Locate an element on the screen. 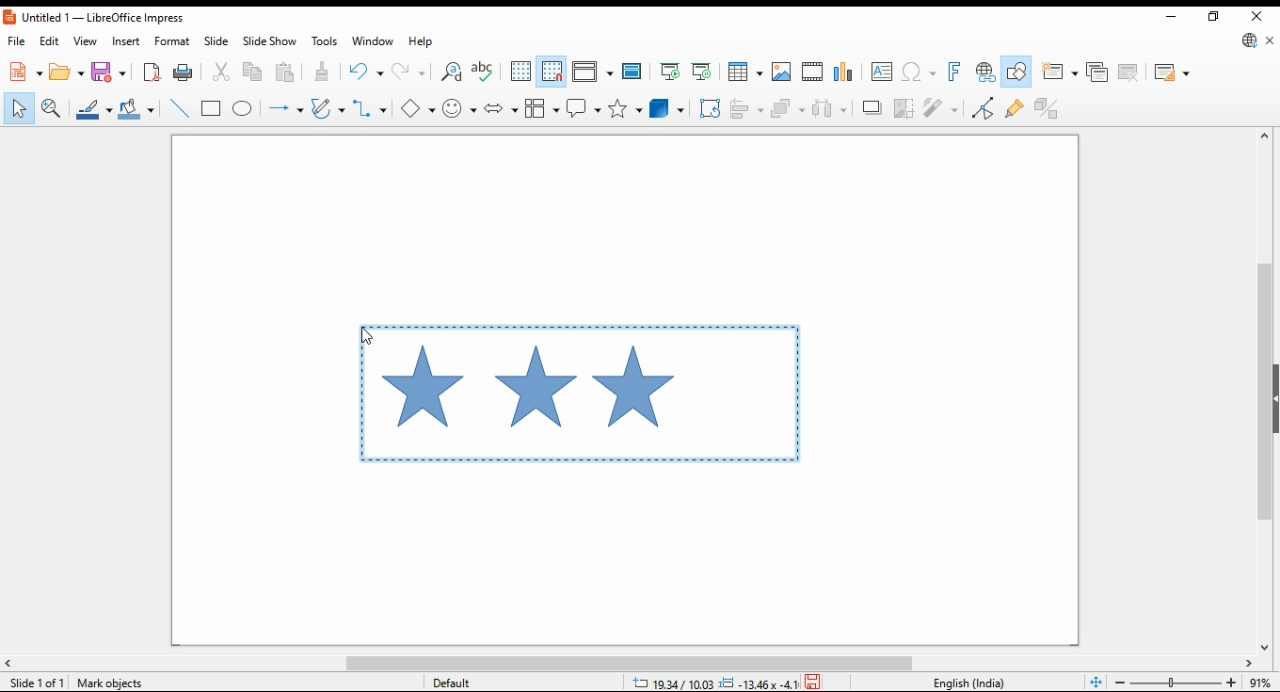 Image resolution: width=1280 pixels, height=692 pixels. insert image is located at coordinates (781, 70).